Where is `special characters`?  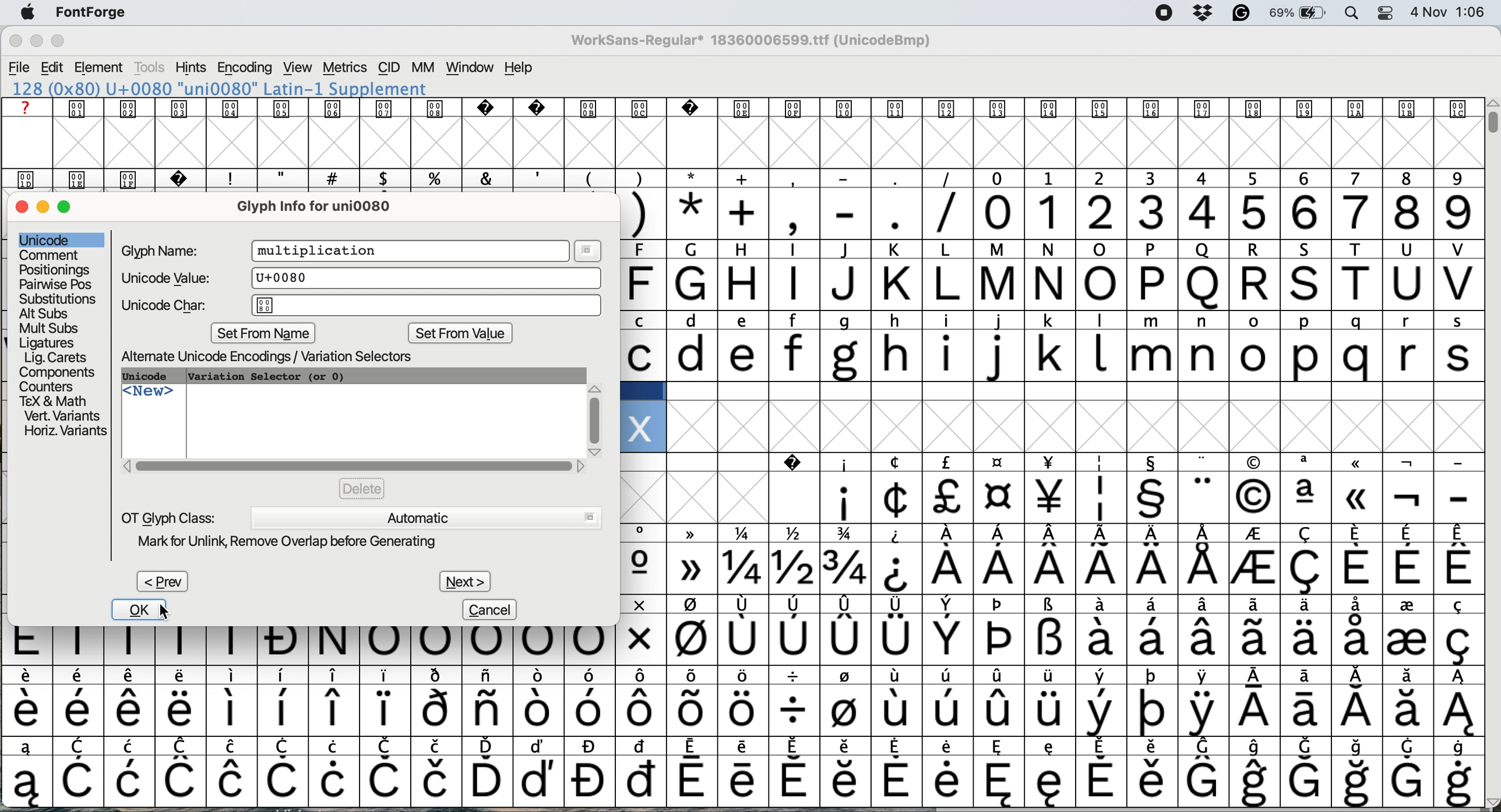 special characters is located at coordinates (737, 647).